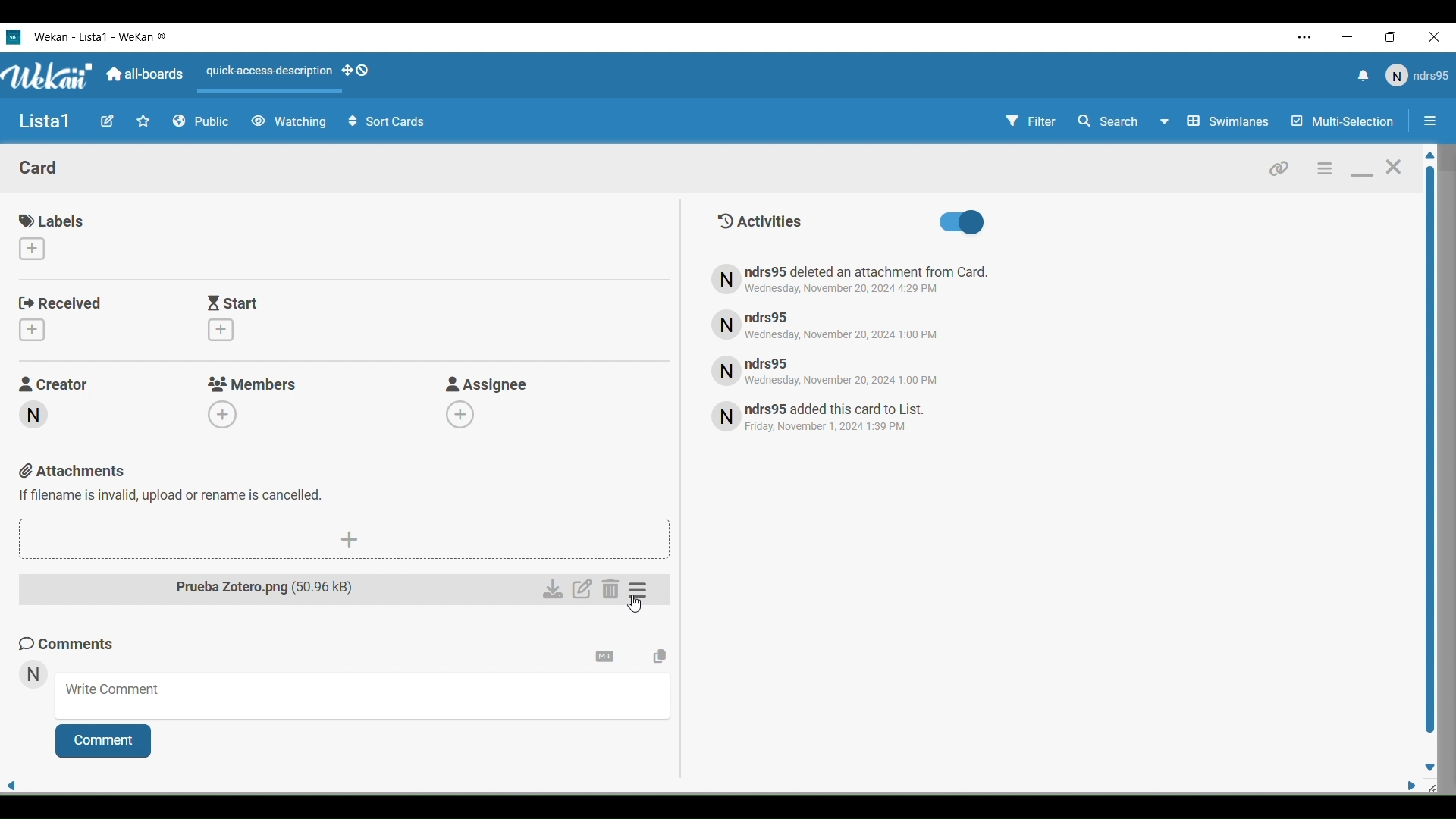 The width and height of the screenshot is (1456, 819). Describe the element at coordinates (606, 657) in the screenshot. I see `Settings` at that location.